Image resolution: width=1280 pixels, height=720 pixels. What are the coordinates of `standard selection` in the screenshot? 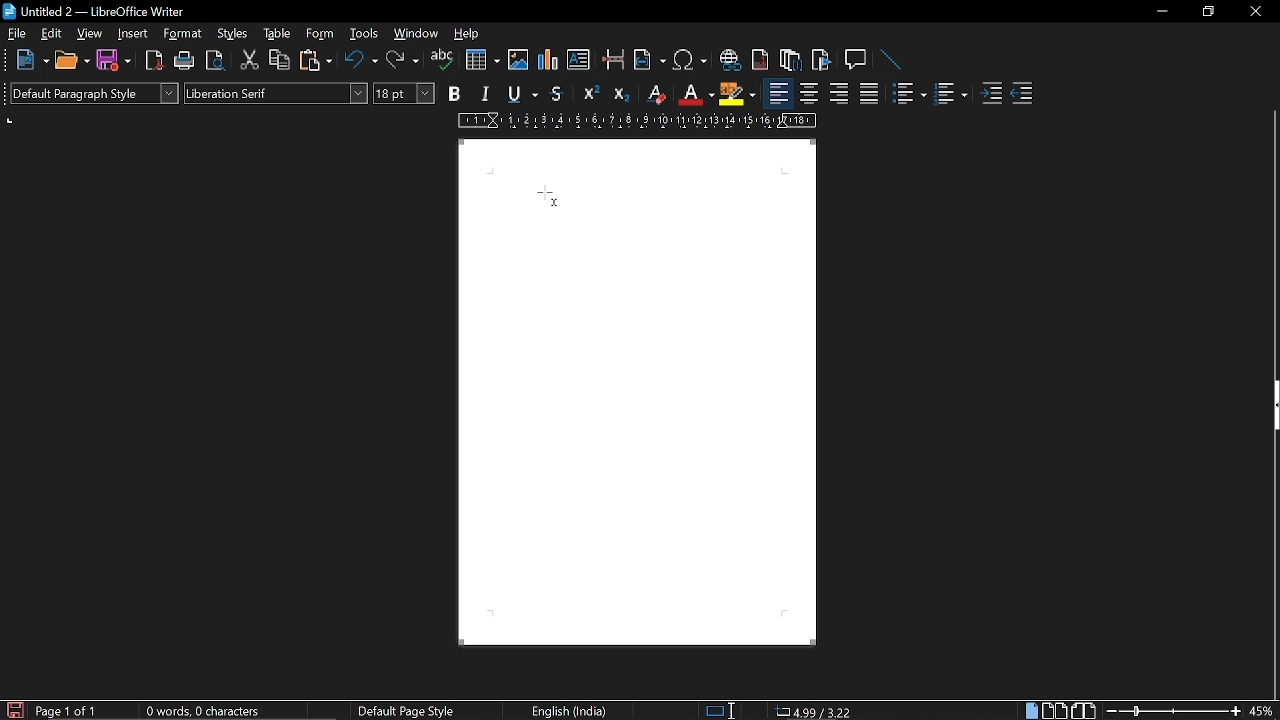 It's located at (722, 710).